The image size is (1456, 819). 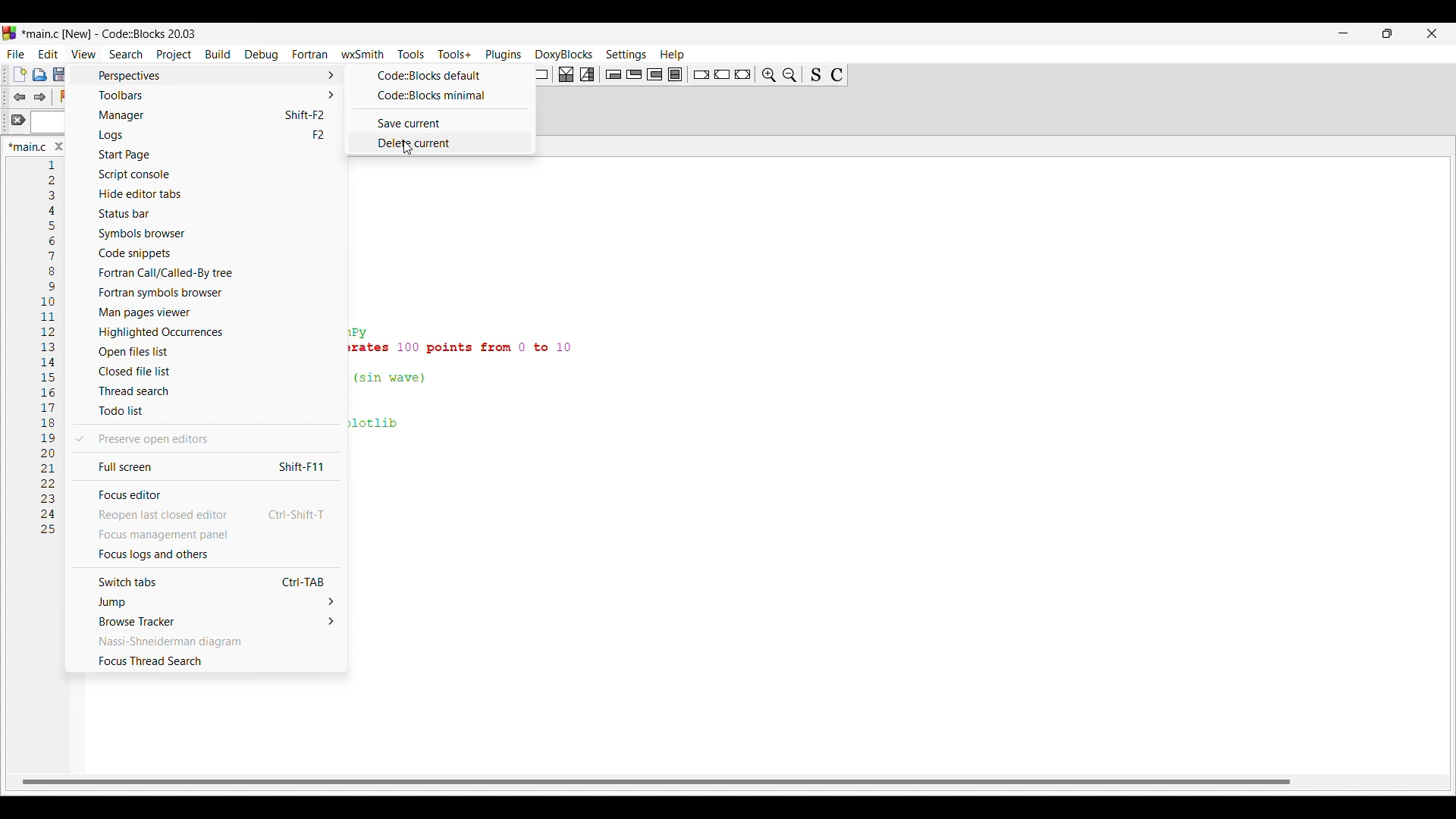 What do you see at coordinates (206, 554) in the screenshot?
I see `Focus logs and others` at bounding box center [206, 554].